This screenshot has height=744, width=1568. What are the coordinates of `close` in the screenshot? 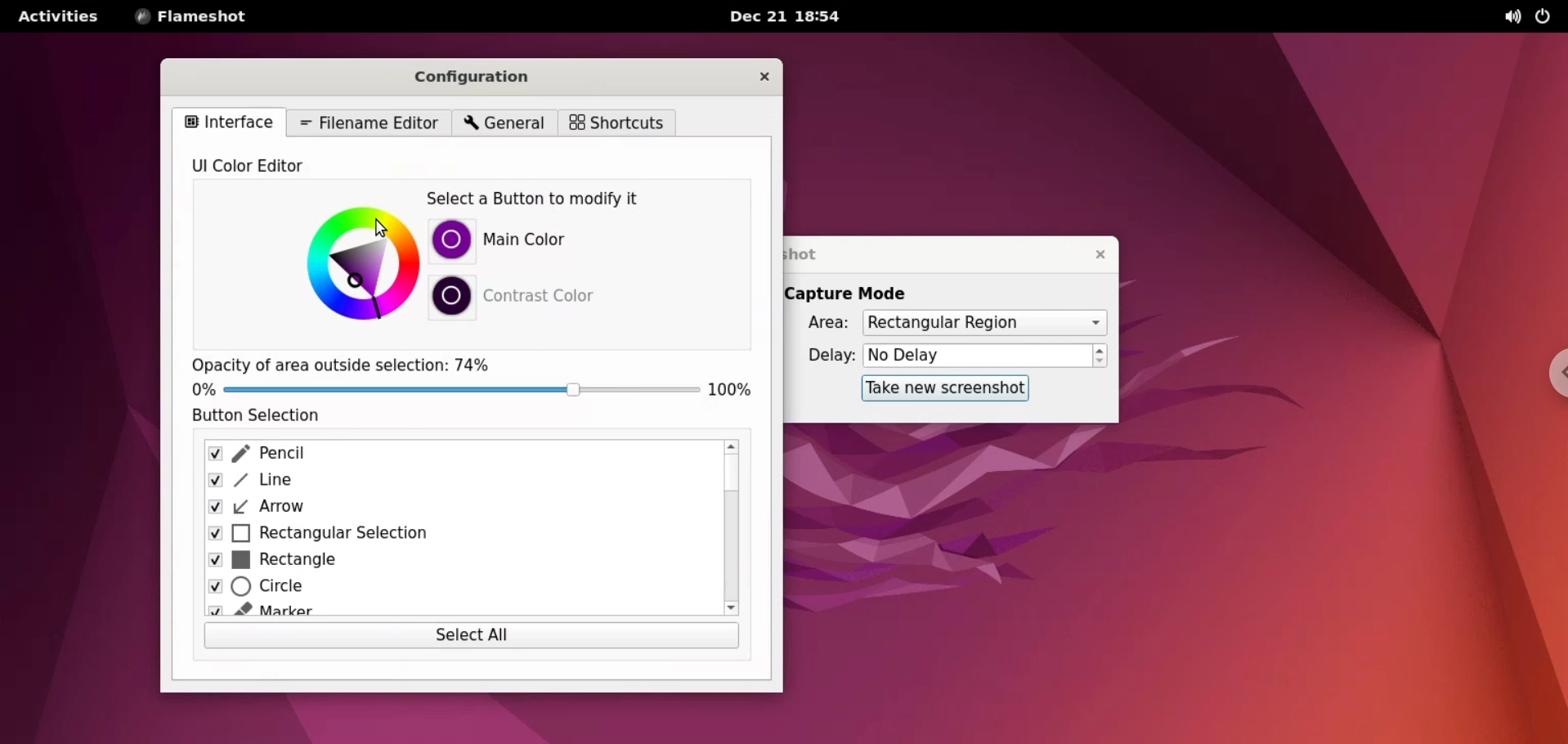 It's located at (765, 76).